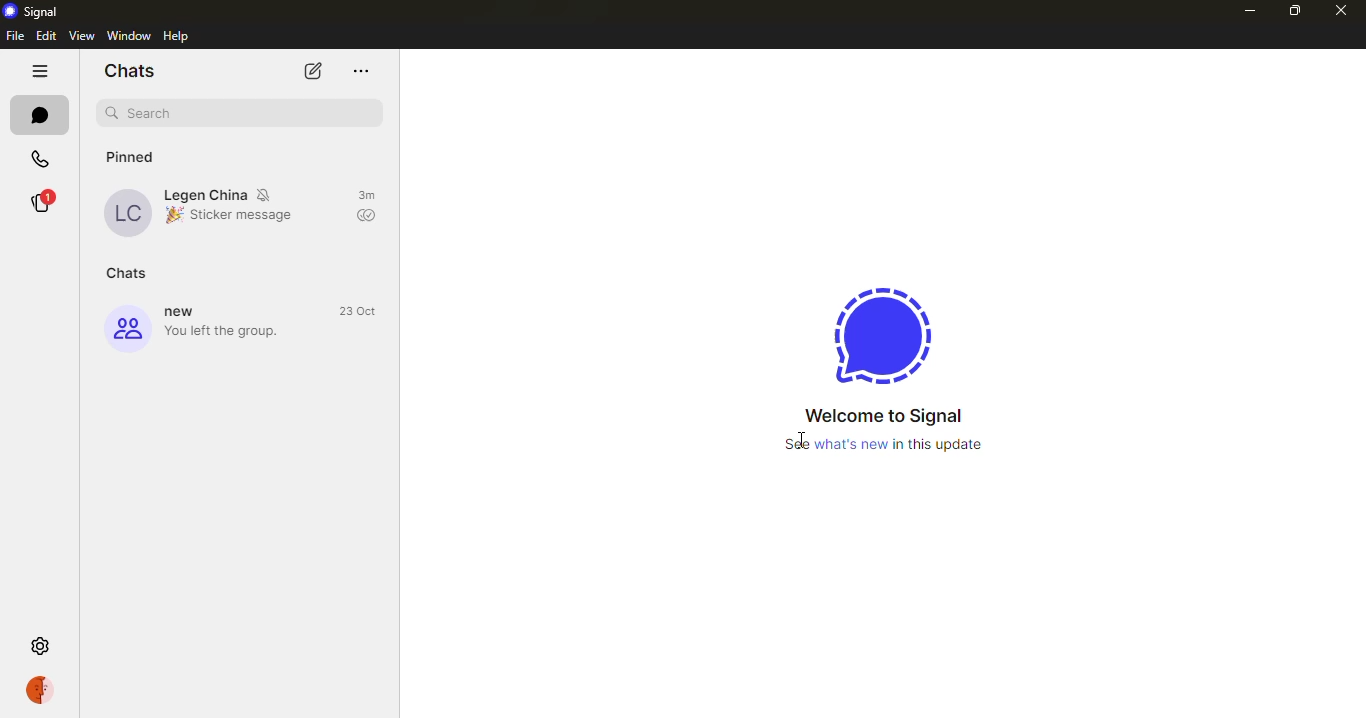  Describe the element at coordinates (205, 194) in the screenshot. I see `Legen China` at that location.